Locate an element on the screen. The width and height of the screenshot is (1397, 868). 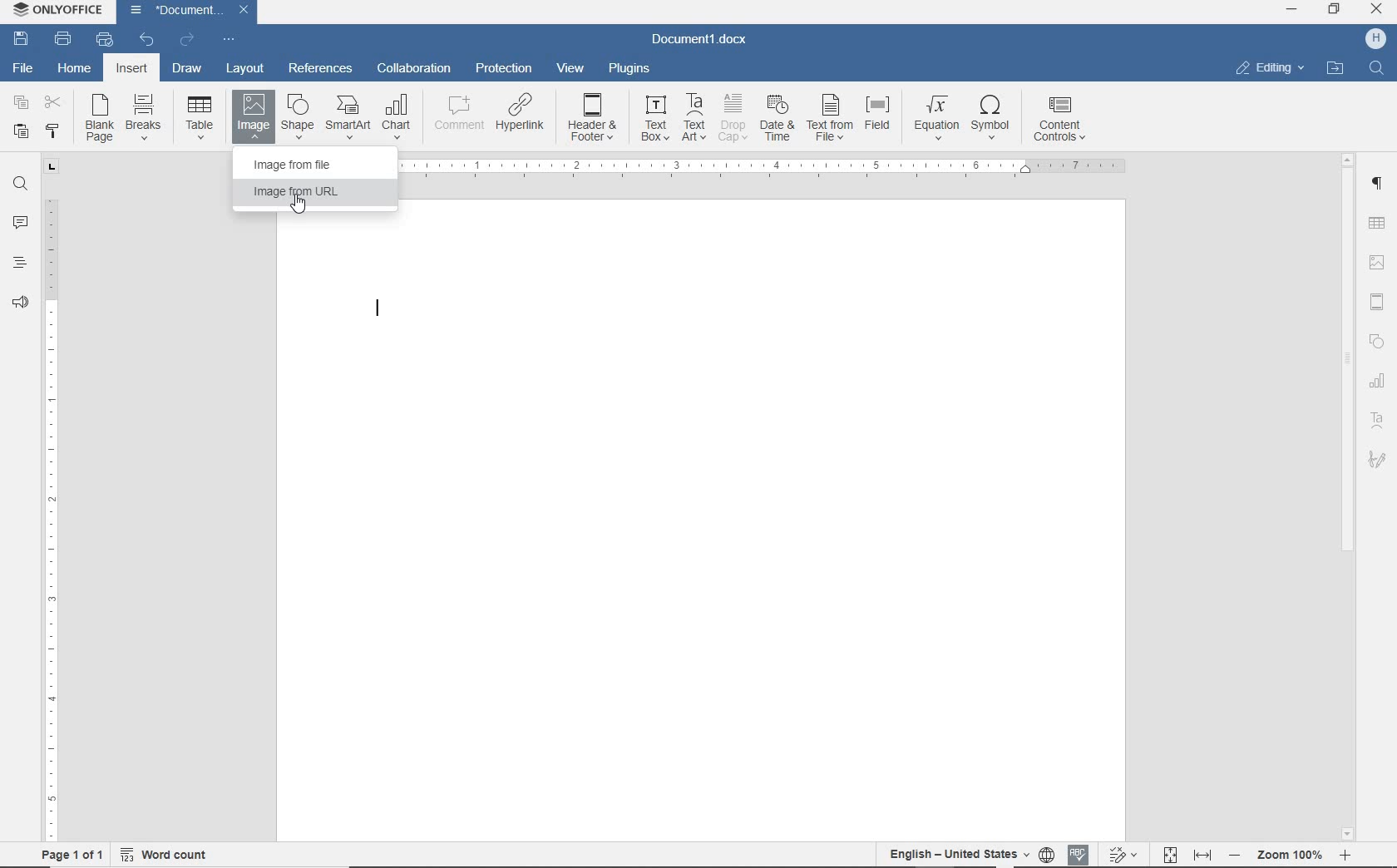
editing is located at coordinates (1272, 67).